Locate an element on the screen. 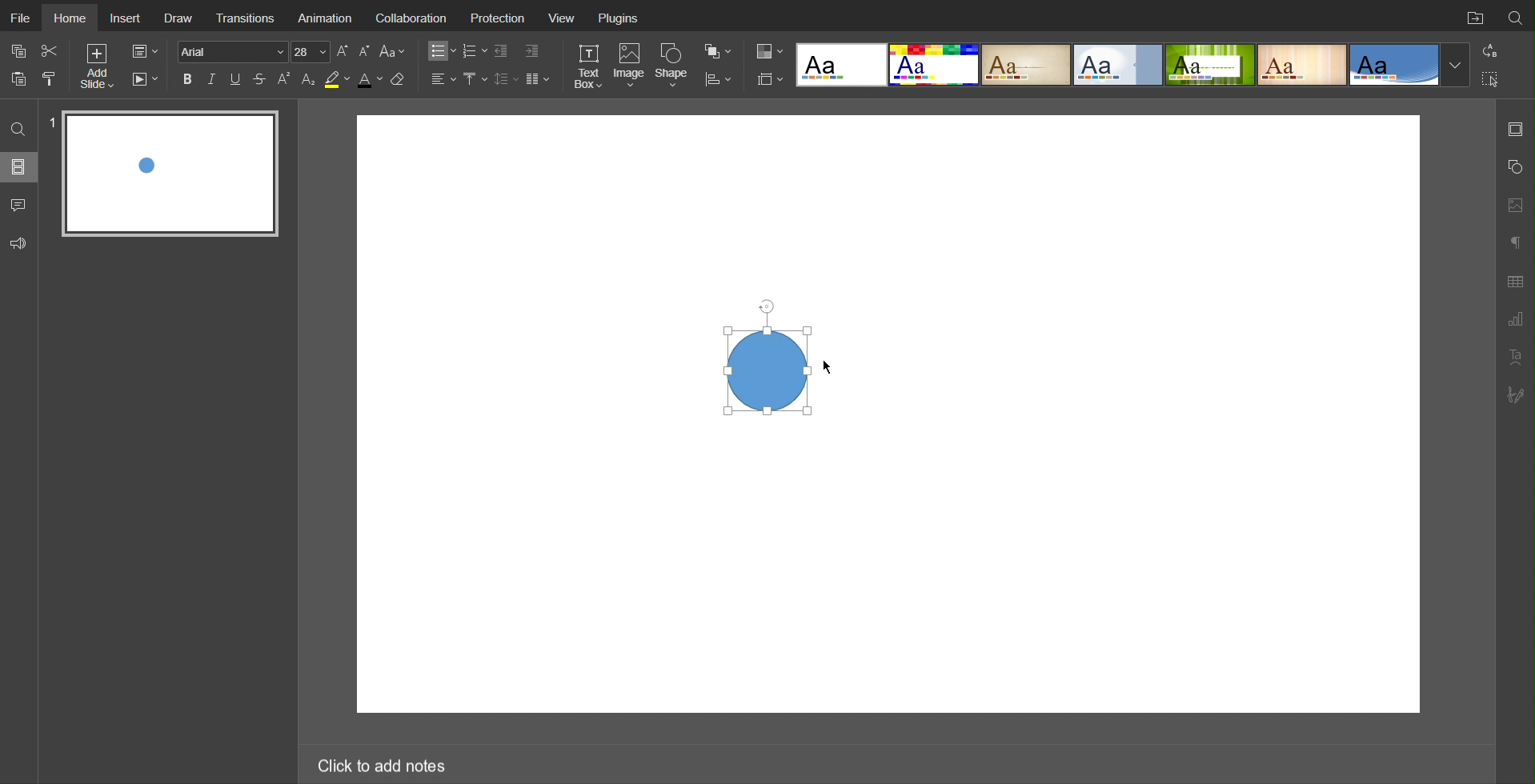  Cursor is located at coordinates (830, 369).